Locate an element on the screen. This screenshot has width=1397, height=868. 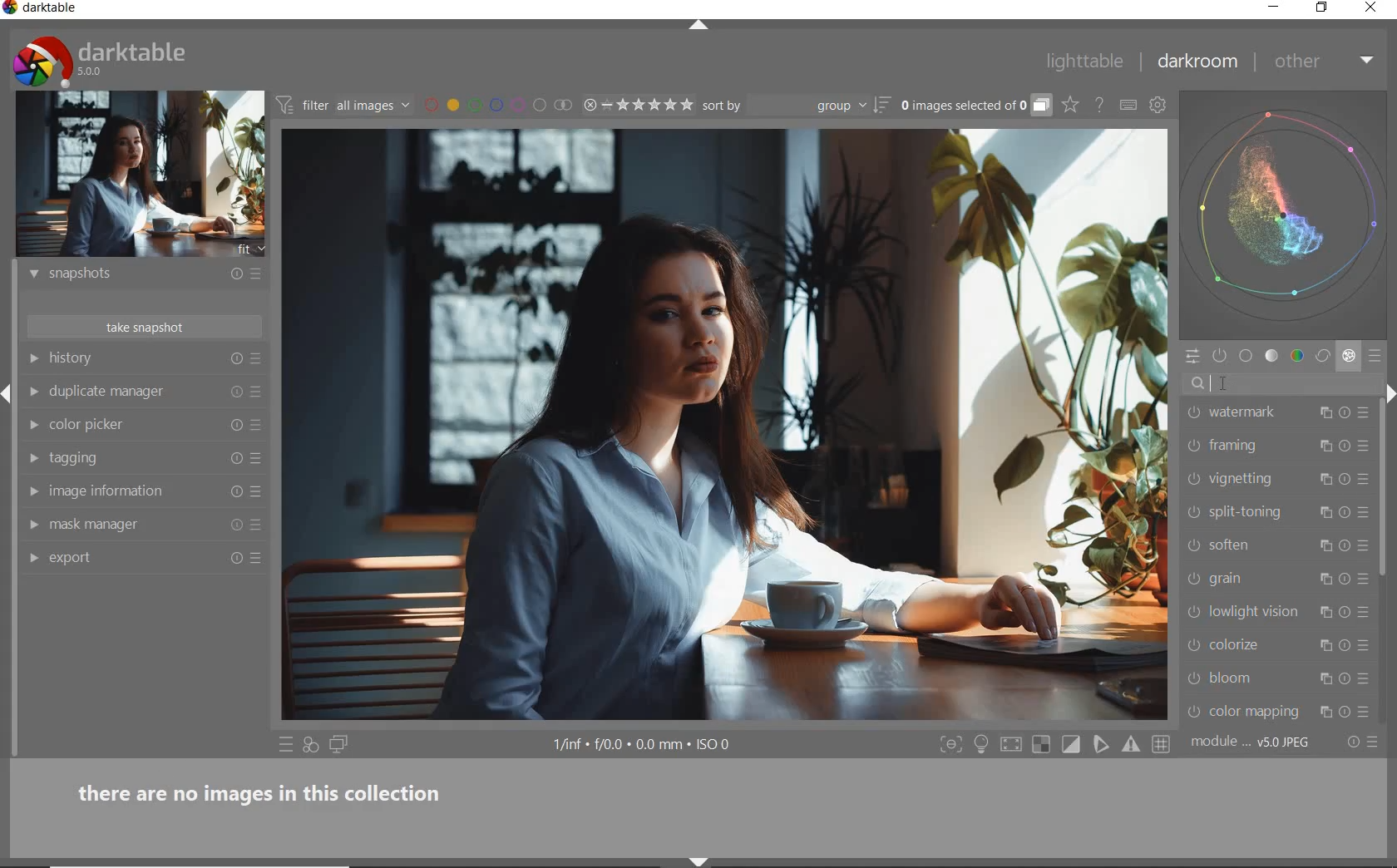
open online help is located at coordinates (1099, 104).